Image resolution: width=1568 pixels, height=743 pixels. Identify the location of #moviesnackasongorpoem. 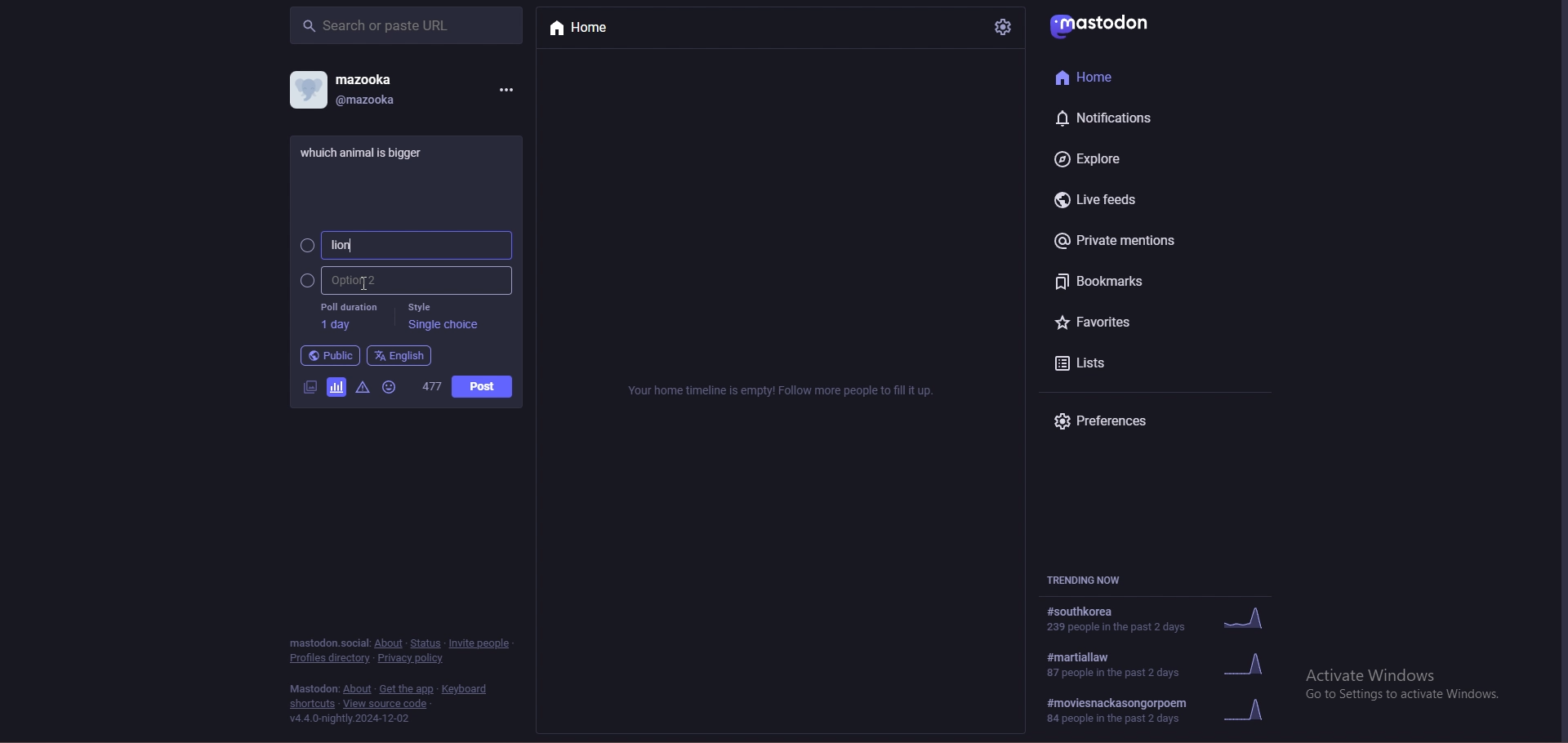
(1165, 711).